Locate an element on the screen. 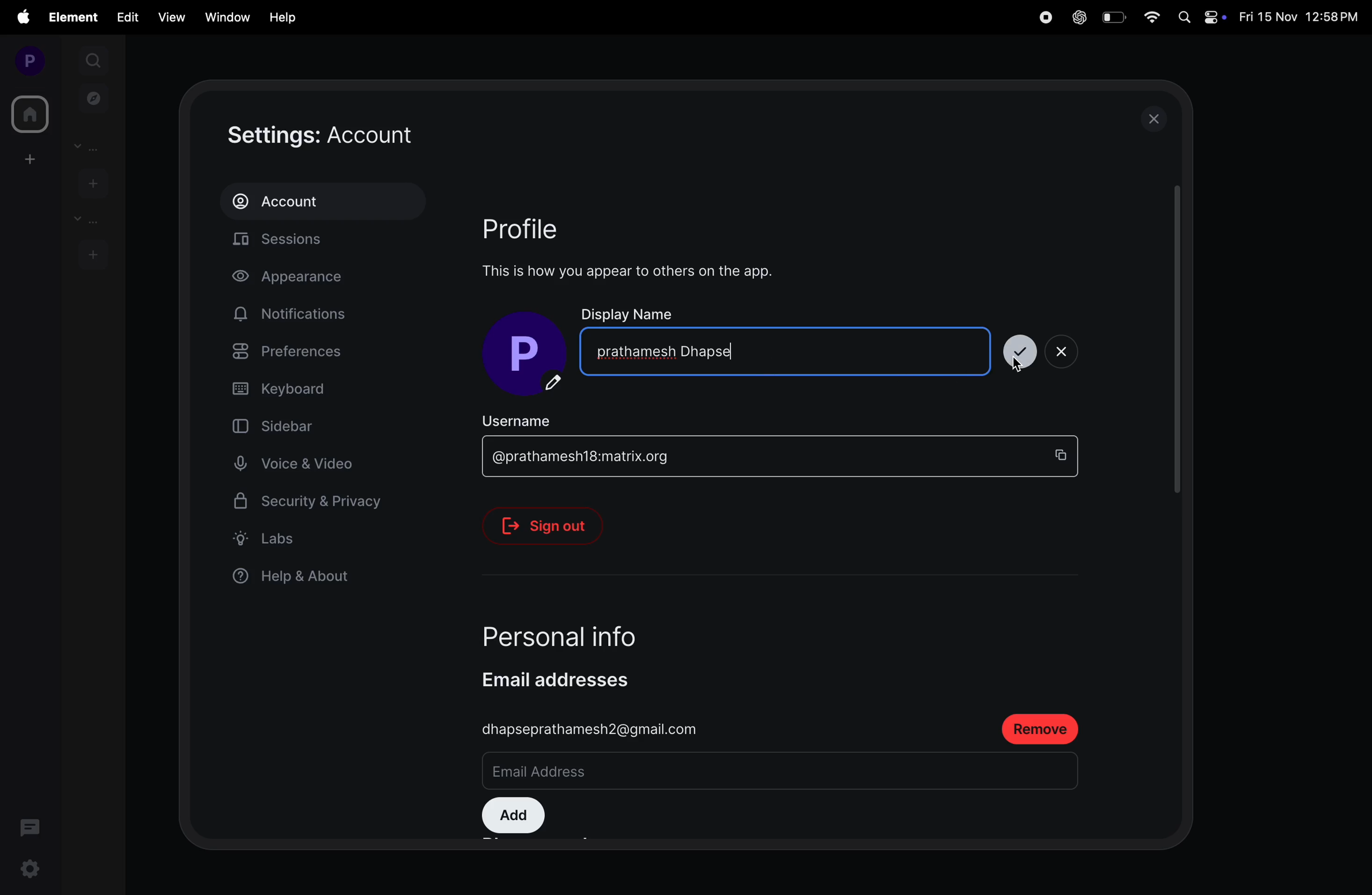 The width and height of the screenshot is (1372, 895). chatgpt is located at coordinates (1077, 18).